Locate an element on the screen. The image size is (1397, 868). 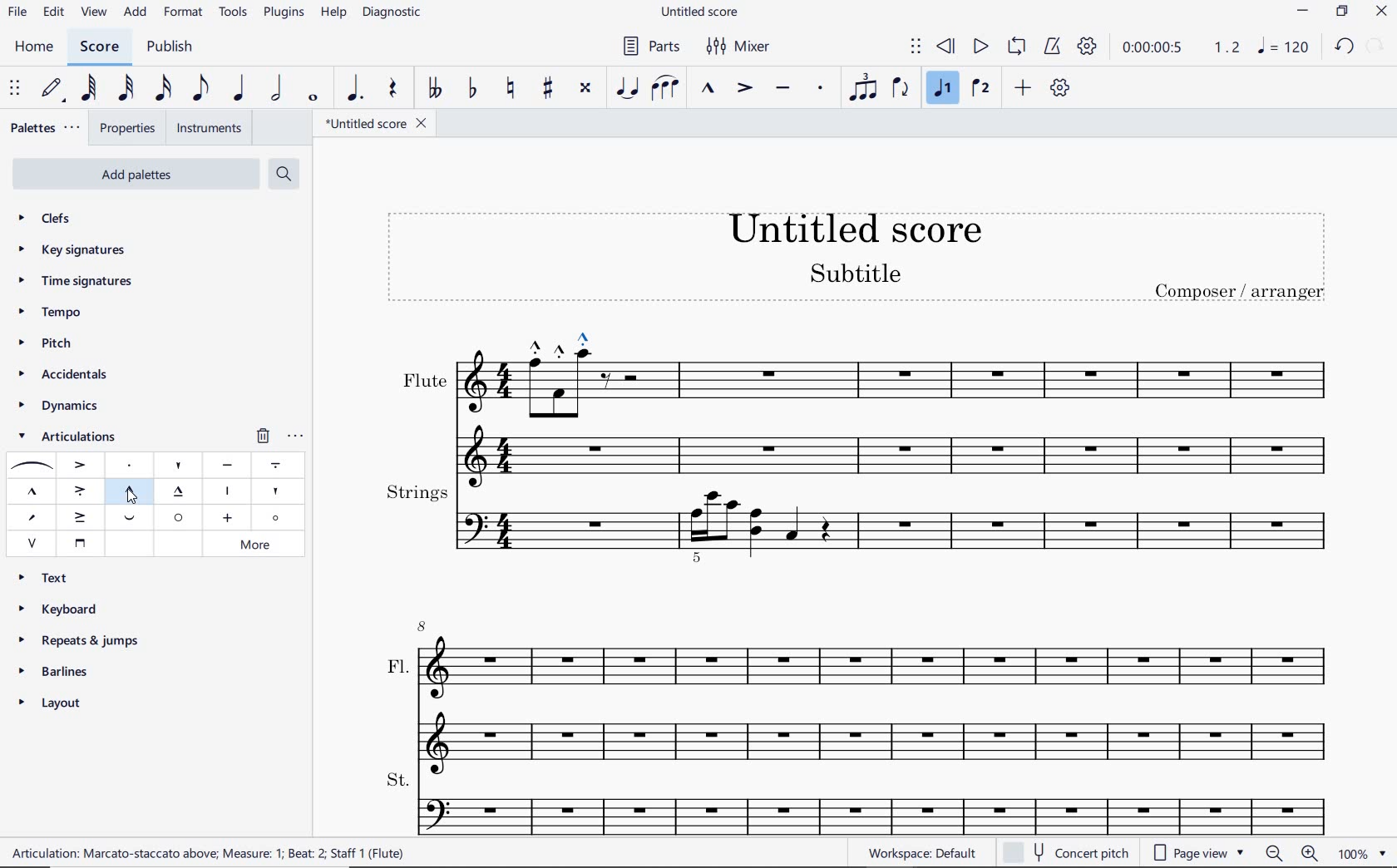
LOOP PLAYBACK is located at coordinates (1016, 47).